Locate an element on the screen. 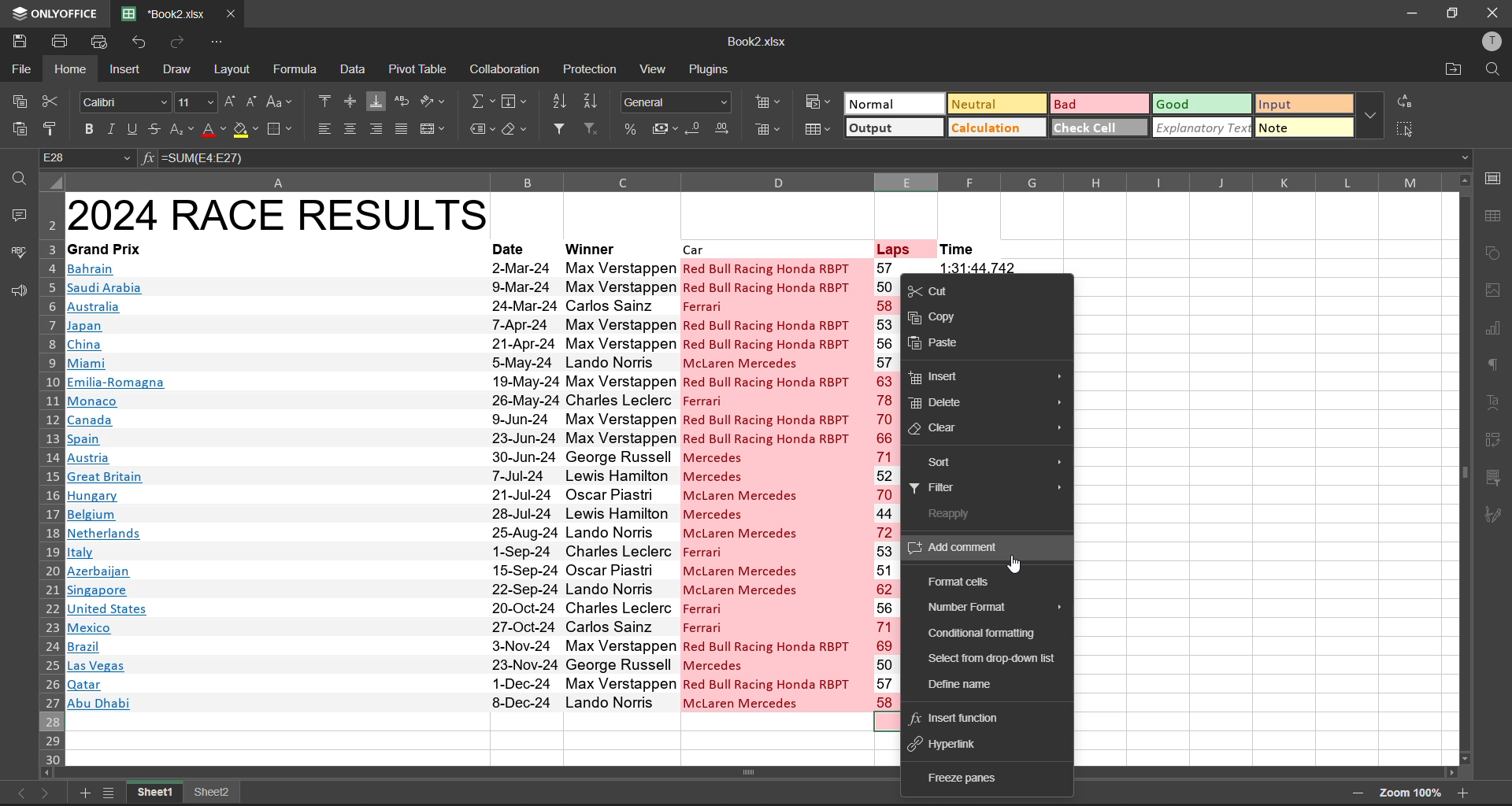 Image resolution: width=1512 pixels, height=806 pixels. conditional formatting is located at coordinates (818, 106).